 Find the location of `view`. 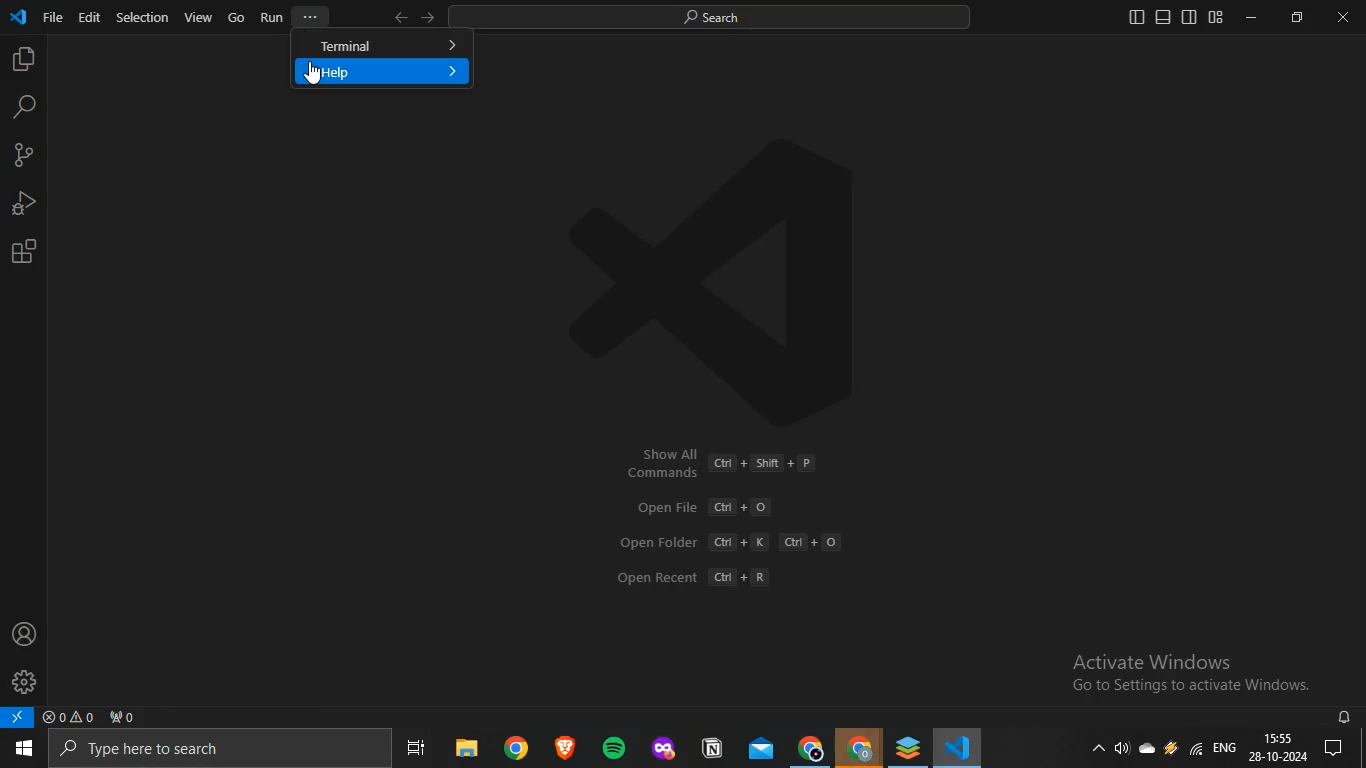

view is located at coordinates (198, 17).